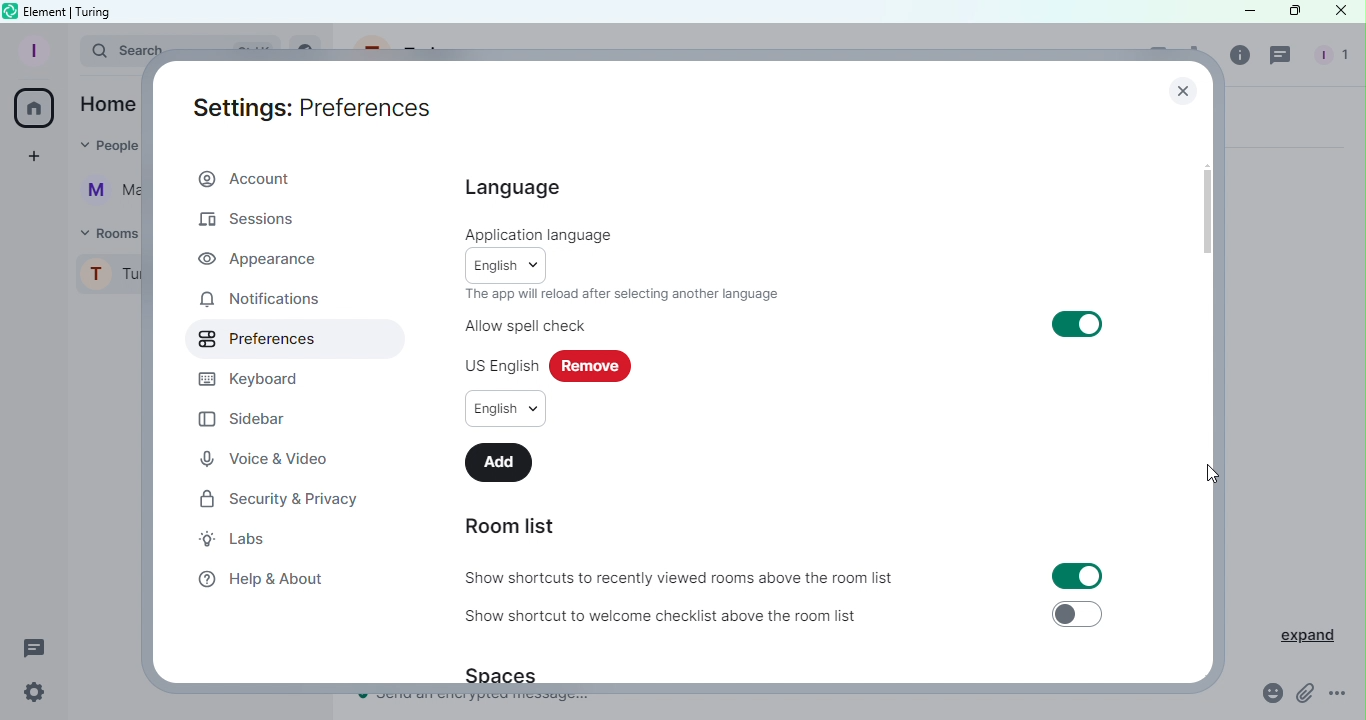  What do you see at coordinates (35, 646) in the screenshot?
I see `Threads` at bounding box center [35, 646].